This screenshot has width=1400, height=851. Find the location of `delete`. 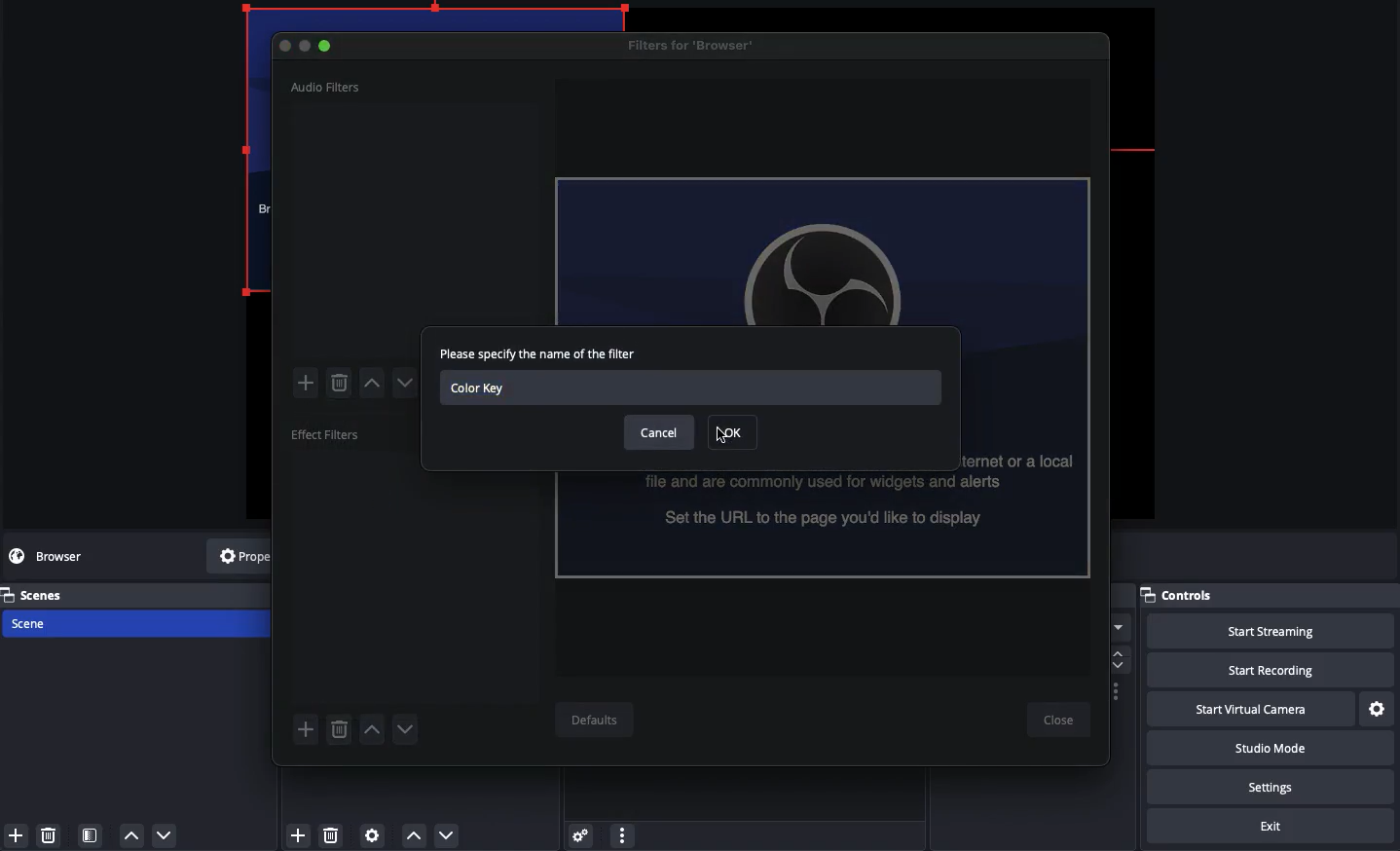

delete is located at coordinates (336, 836).